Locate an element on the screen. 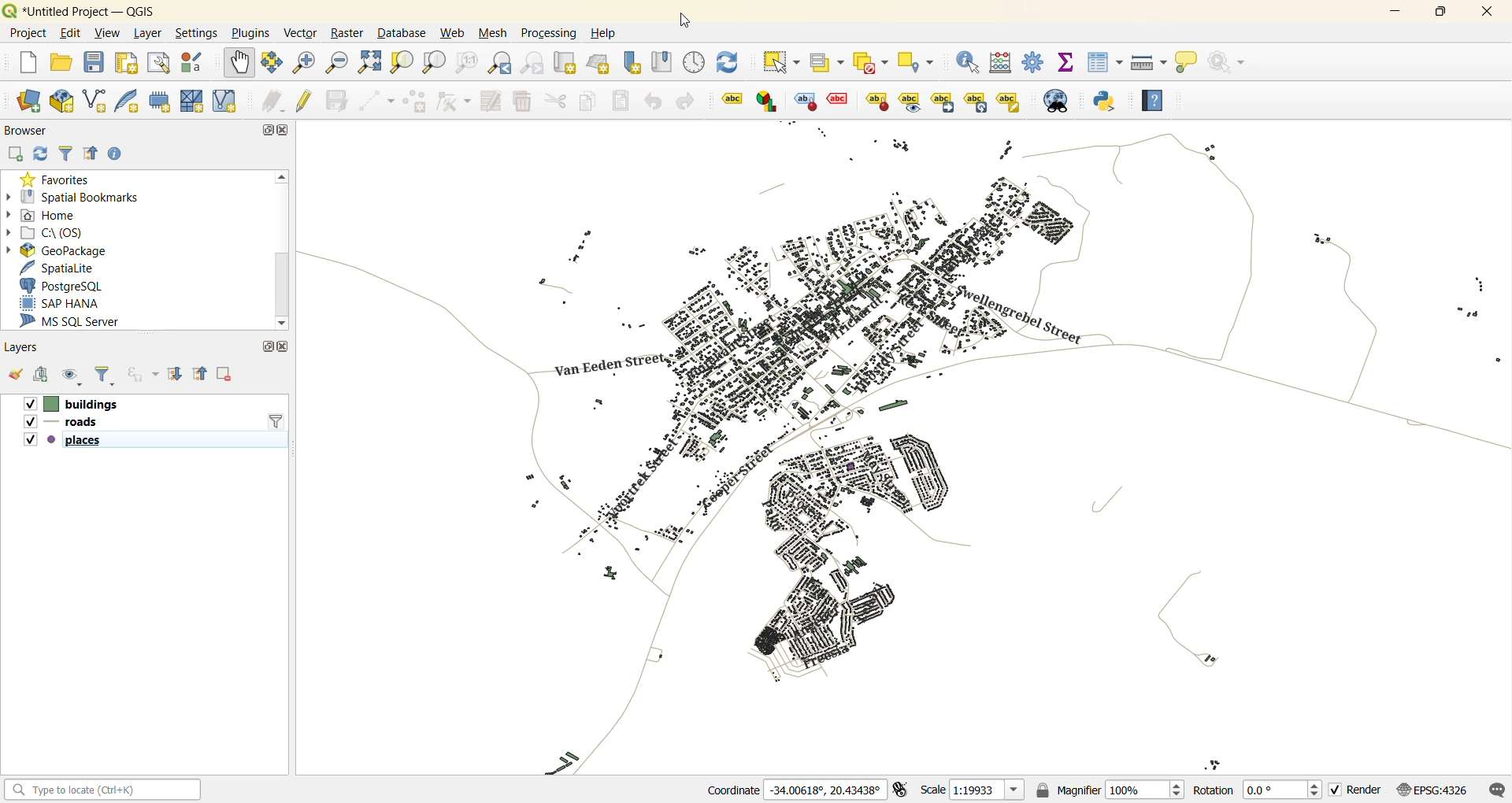  ms sql server is located at coordinates (79, 320).